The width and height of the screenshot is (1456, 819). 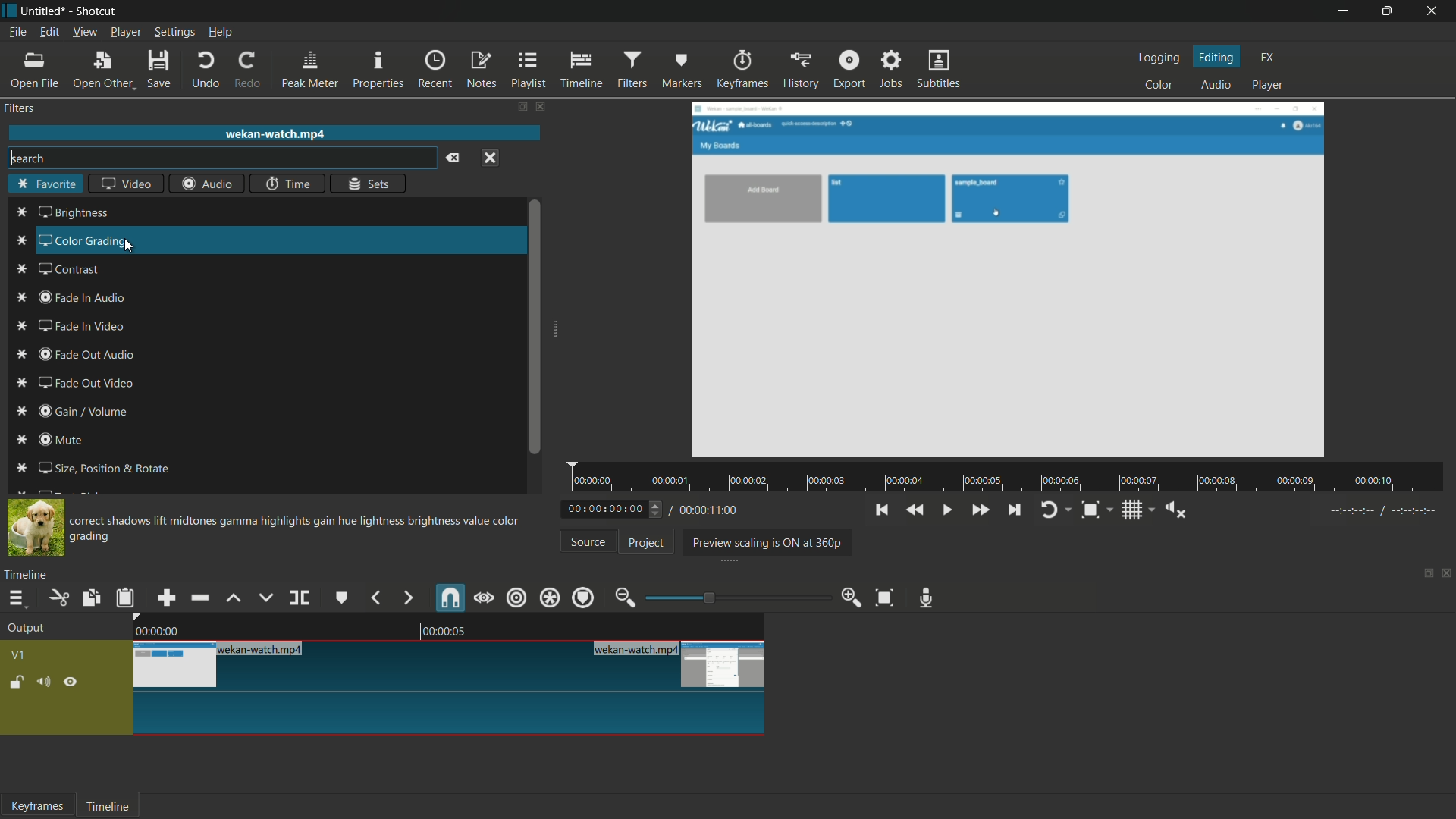 I want to click on properties, so click(x=378, y=69).